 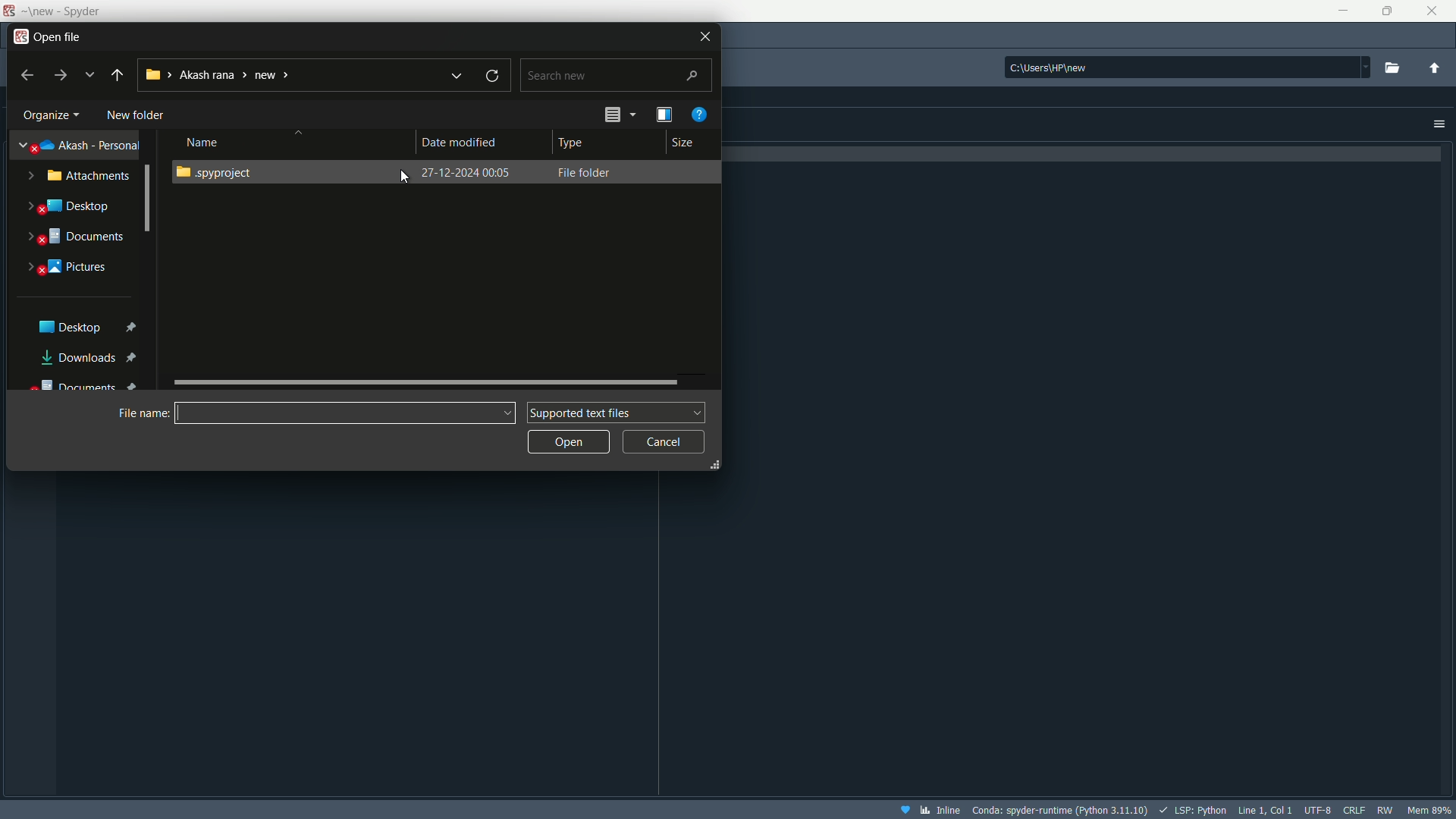 What do you see at coordinates (89, 77) in the screenshot?
I see `recent locations` at bounding box center [89, 77].